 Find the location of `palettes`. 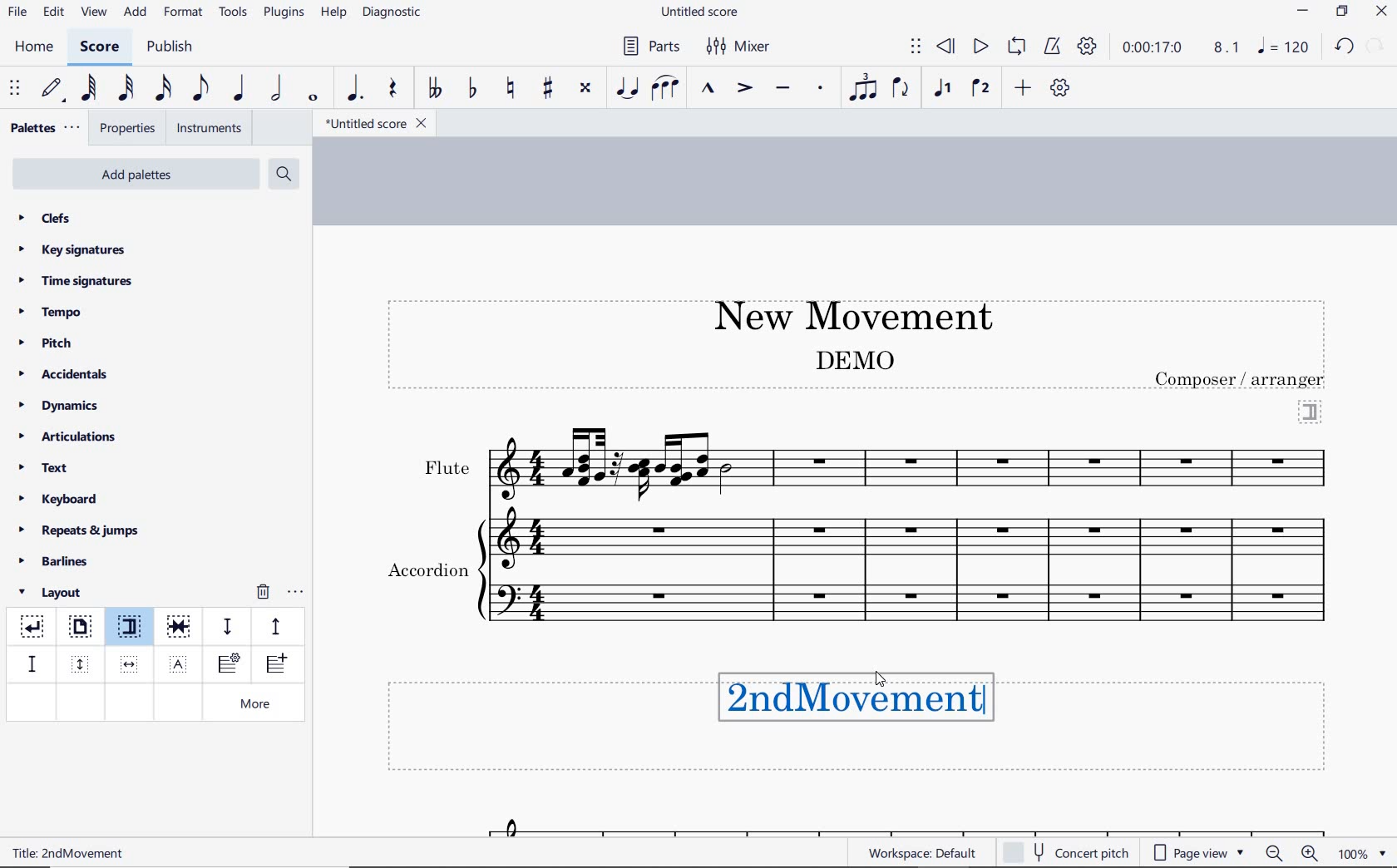

palettes is located at coordinates (43, 129).